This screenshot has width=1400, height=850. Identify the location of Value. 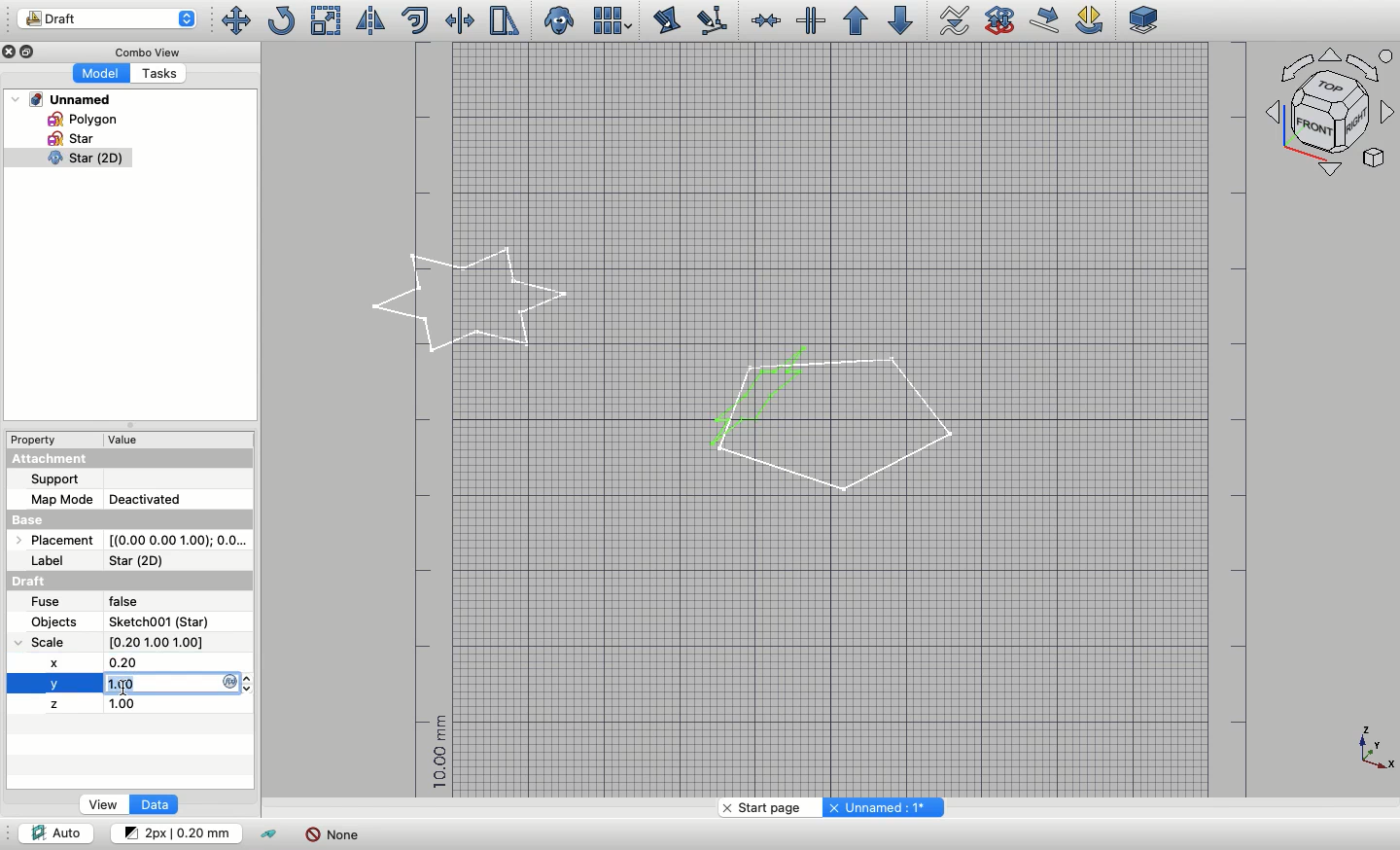
(130, 440).